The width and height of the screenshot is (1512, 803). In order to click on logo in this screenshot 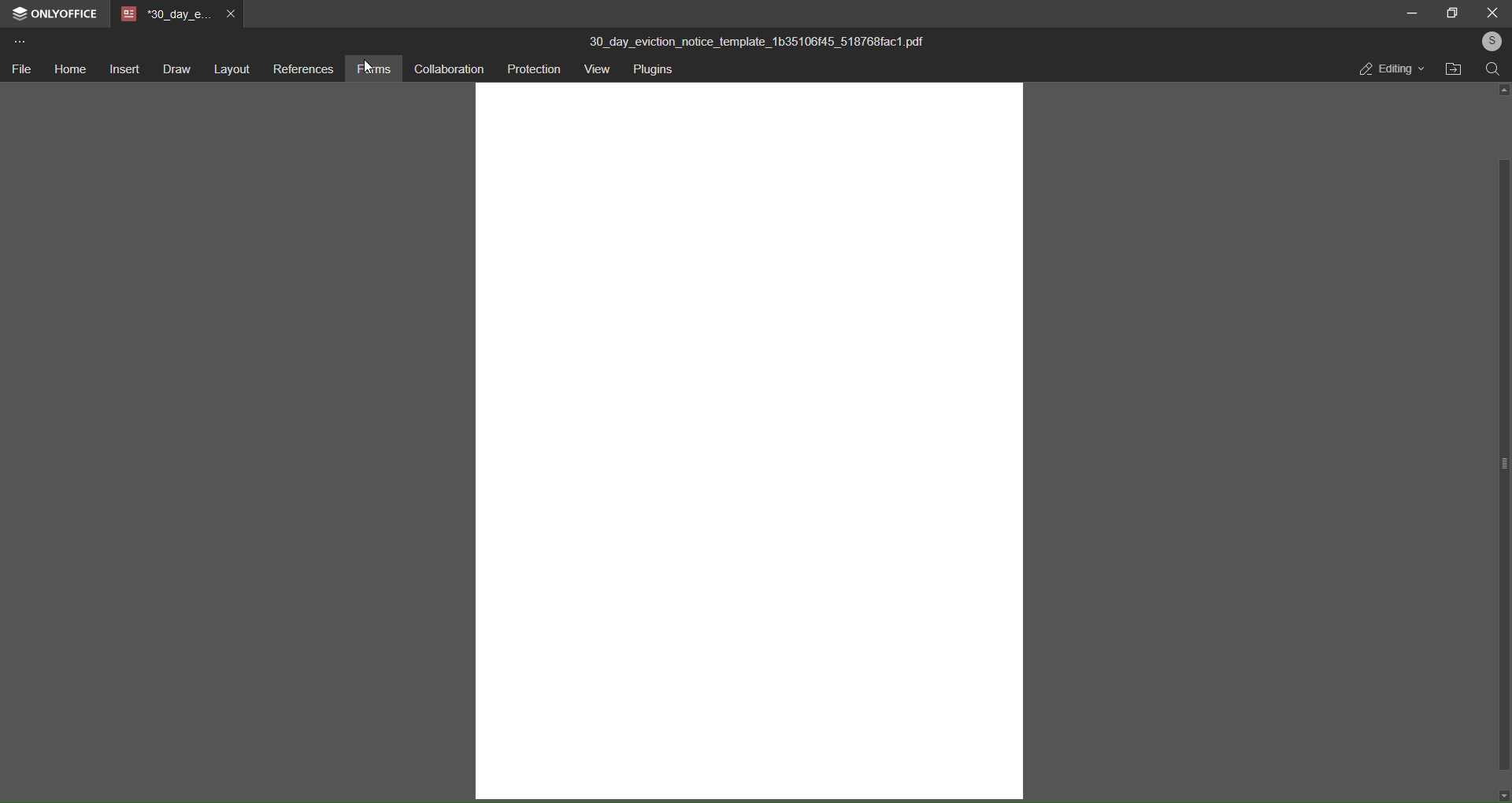, I will do `click(17, 13)`.